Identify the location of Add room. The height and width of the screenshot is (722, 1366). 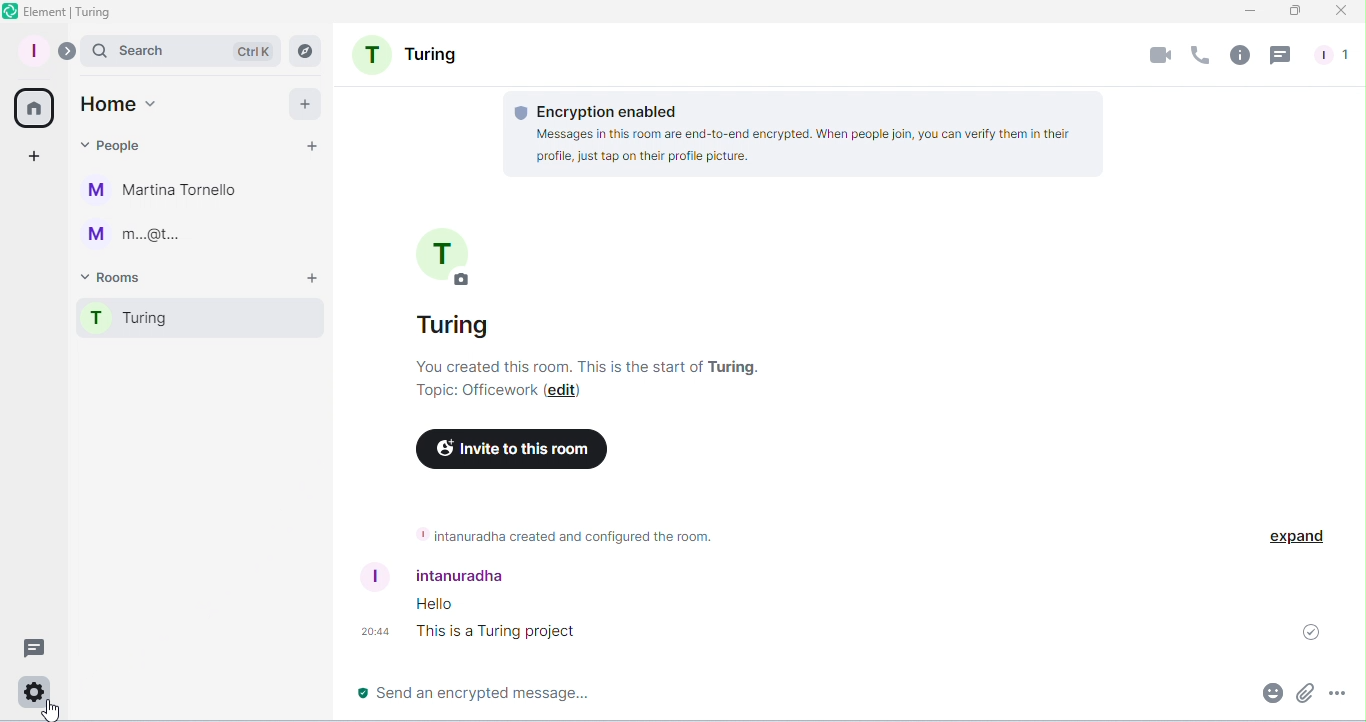
(309, 281).